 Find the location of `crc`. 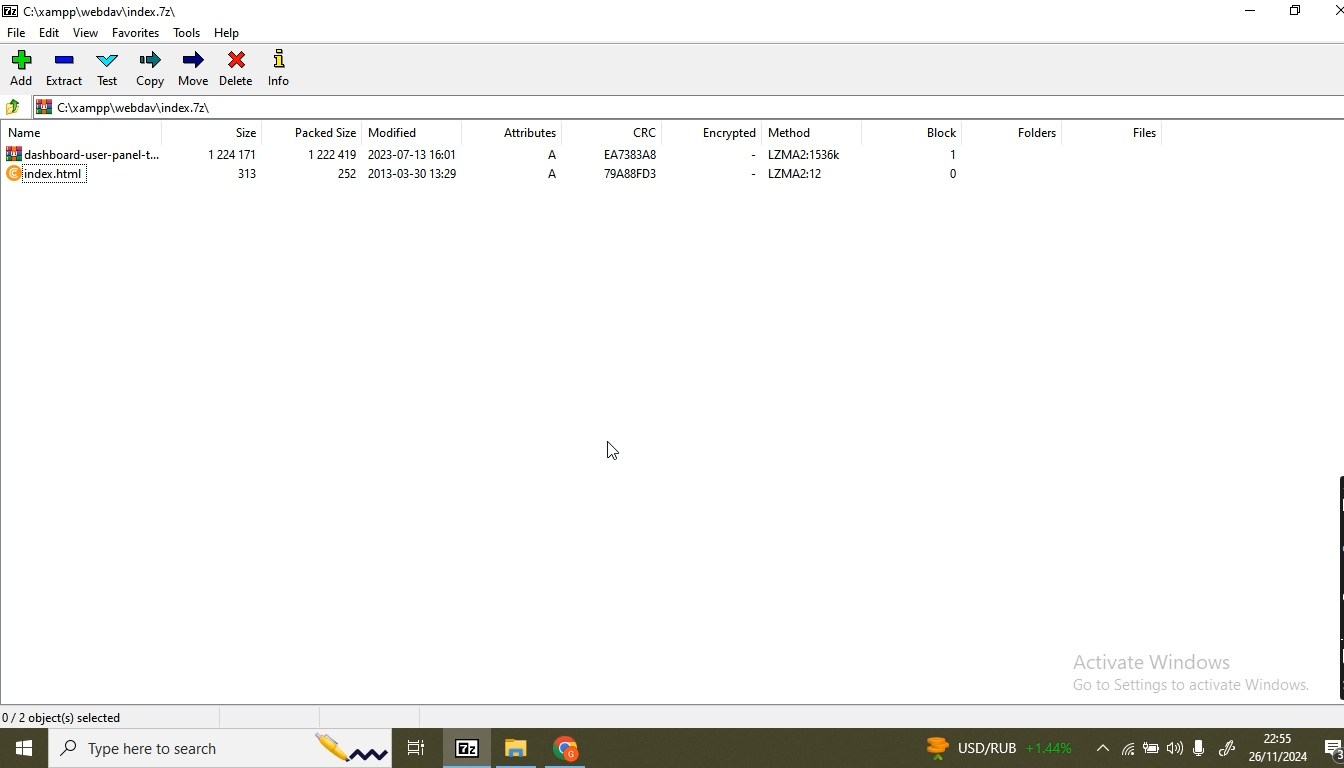

crc is located at coordinates (645, 133).